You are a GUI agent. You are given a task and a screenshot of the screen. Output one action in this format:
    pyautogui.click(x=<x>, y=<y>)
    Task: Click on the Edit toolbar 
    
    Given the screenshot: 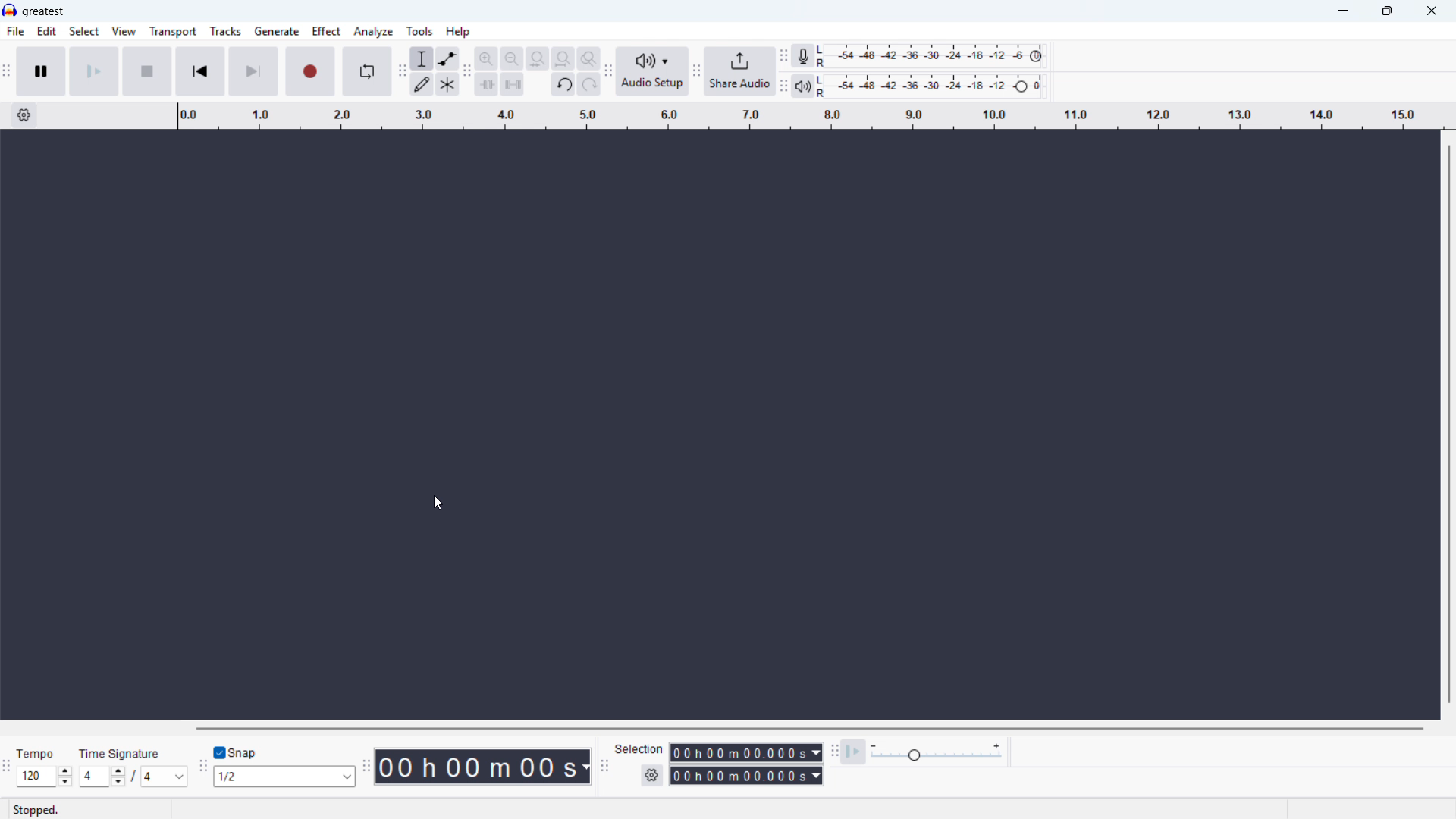 What is the action you would take?
    pyautogui.click(x=469, y=73)
    